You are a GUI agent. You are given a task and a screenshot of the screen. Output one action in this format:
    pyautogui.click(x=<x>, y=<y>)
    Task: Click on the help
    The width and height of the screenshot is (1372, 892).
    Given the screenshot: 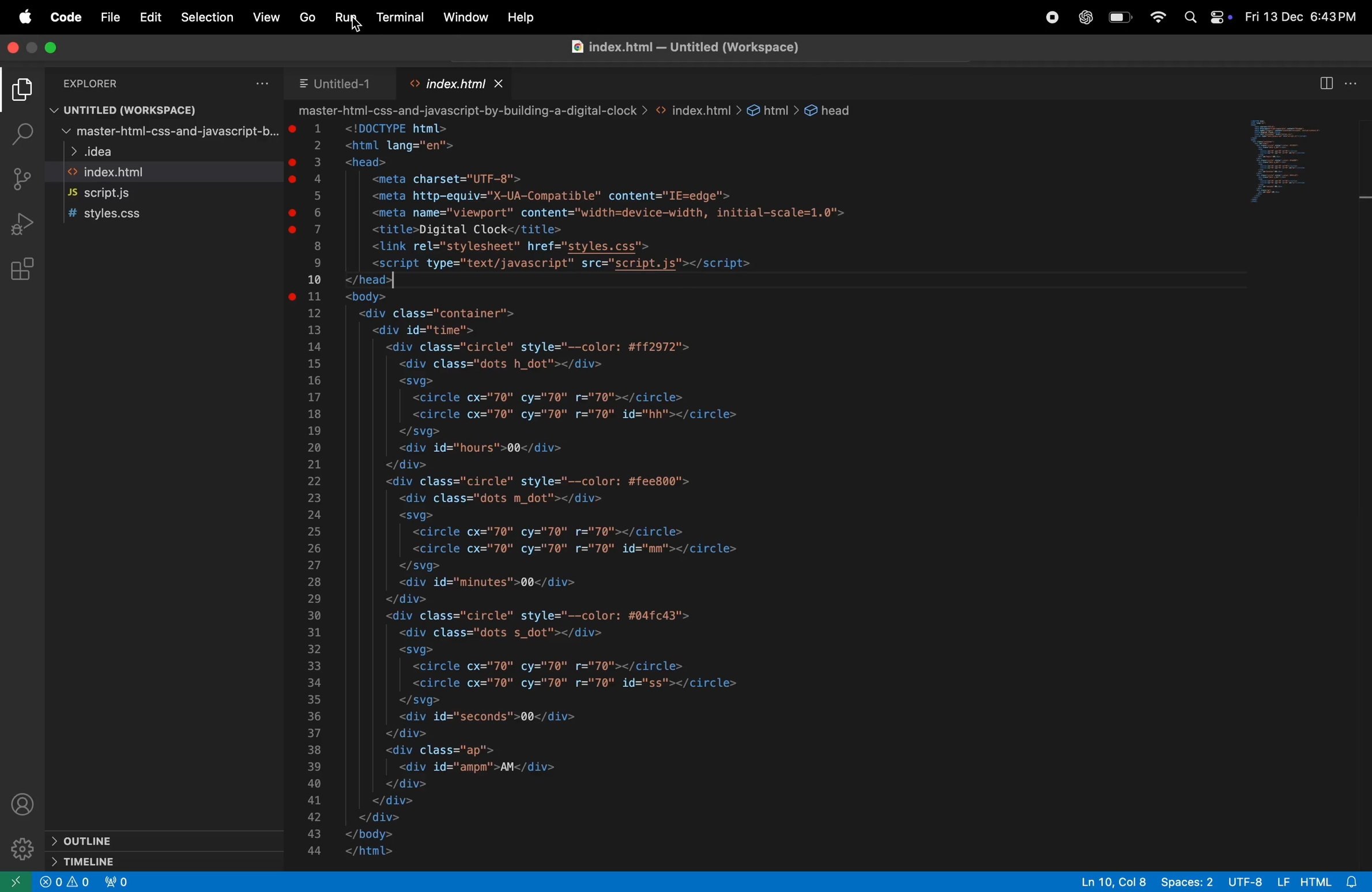 What is the action you would take?
    pyautogui.click(x=527, y=17)
    